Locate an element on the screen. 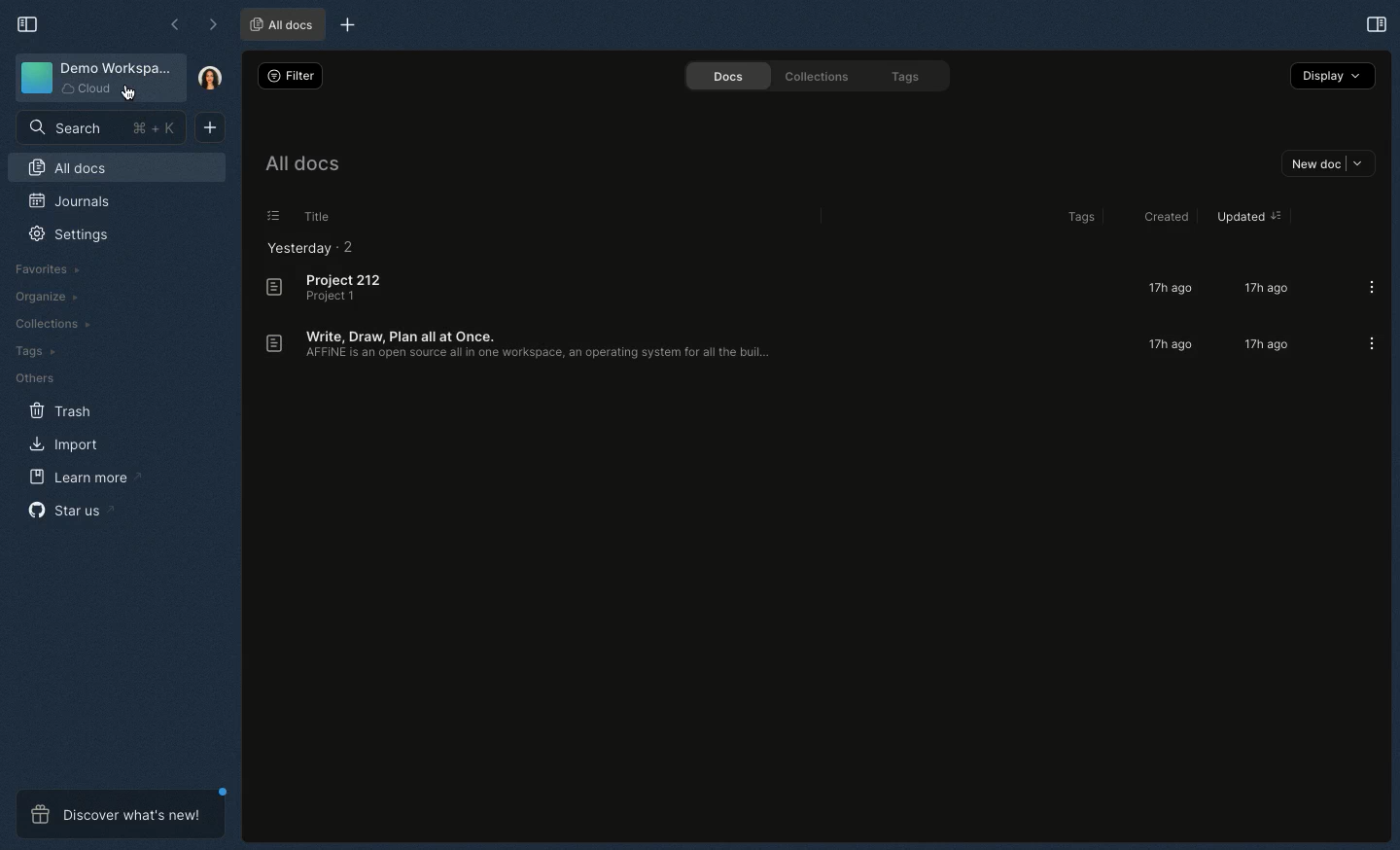 The image size is (1400, 850). Tags is located at coordinates (901, 76).